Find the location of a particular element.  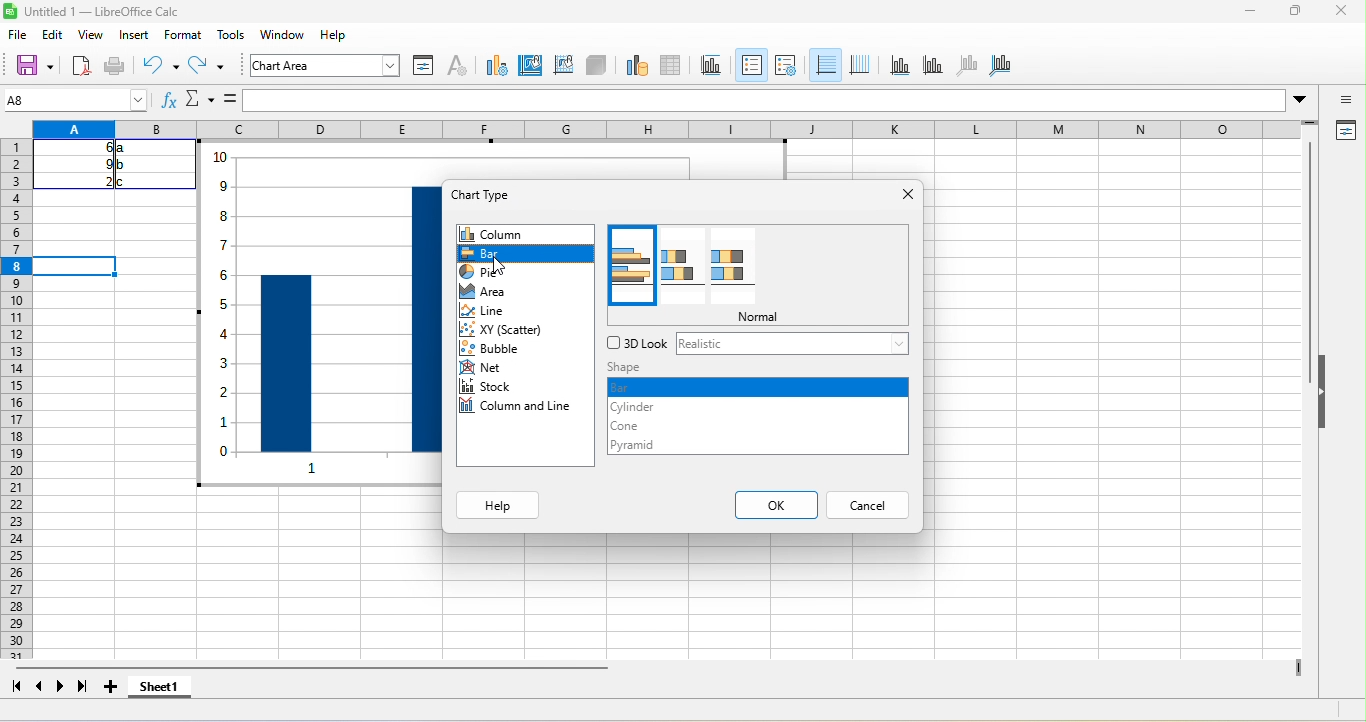

All axes is located at coordinates (1004, 66).